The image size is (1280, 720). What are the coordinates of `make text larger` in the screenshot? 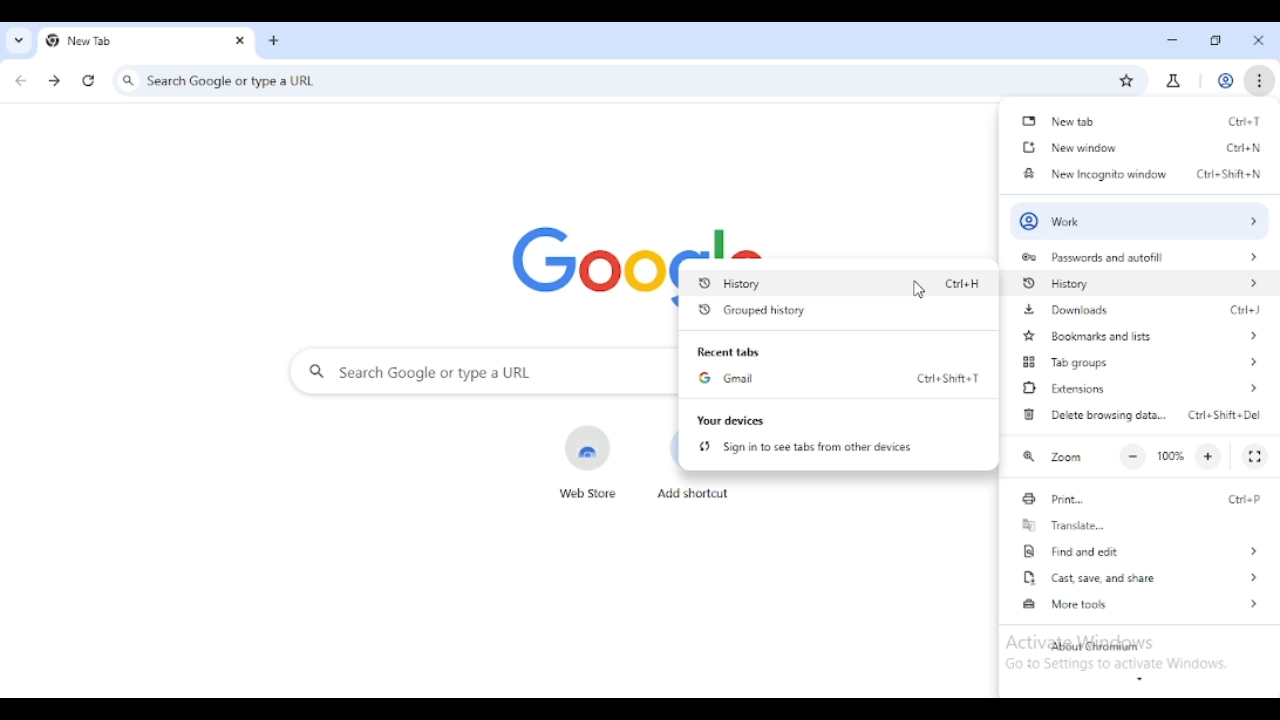 It's located at (1208, 457).